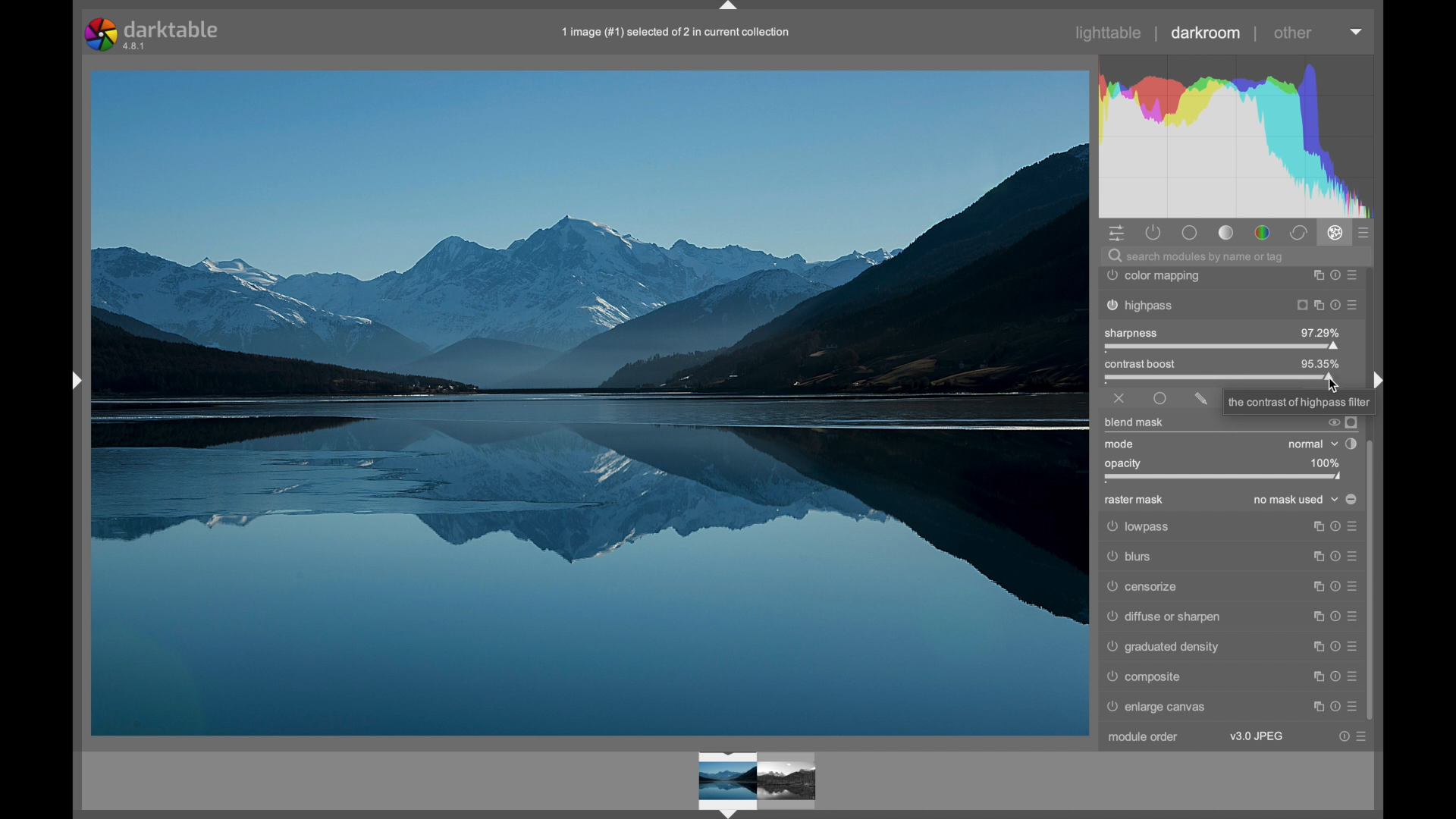 This screenshot has height=819, width=1456. Describe the element at coordinates (1168, 364) in the screenshot. I see `contrast boost` at that location.